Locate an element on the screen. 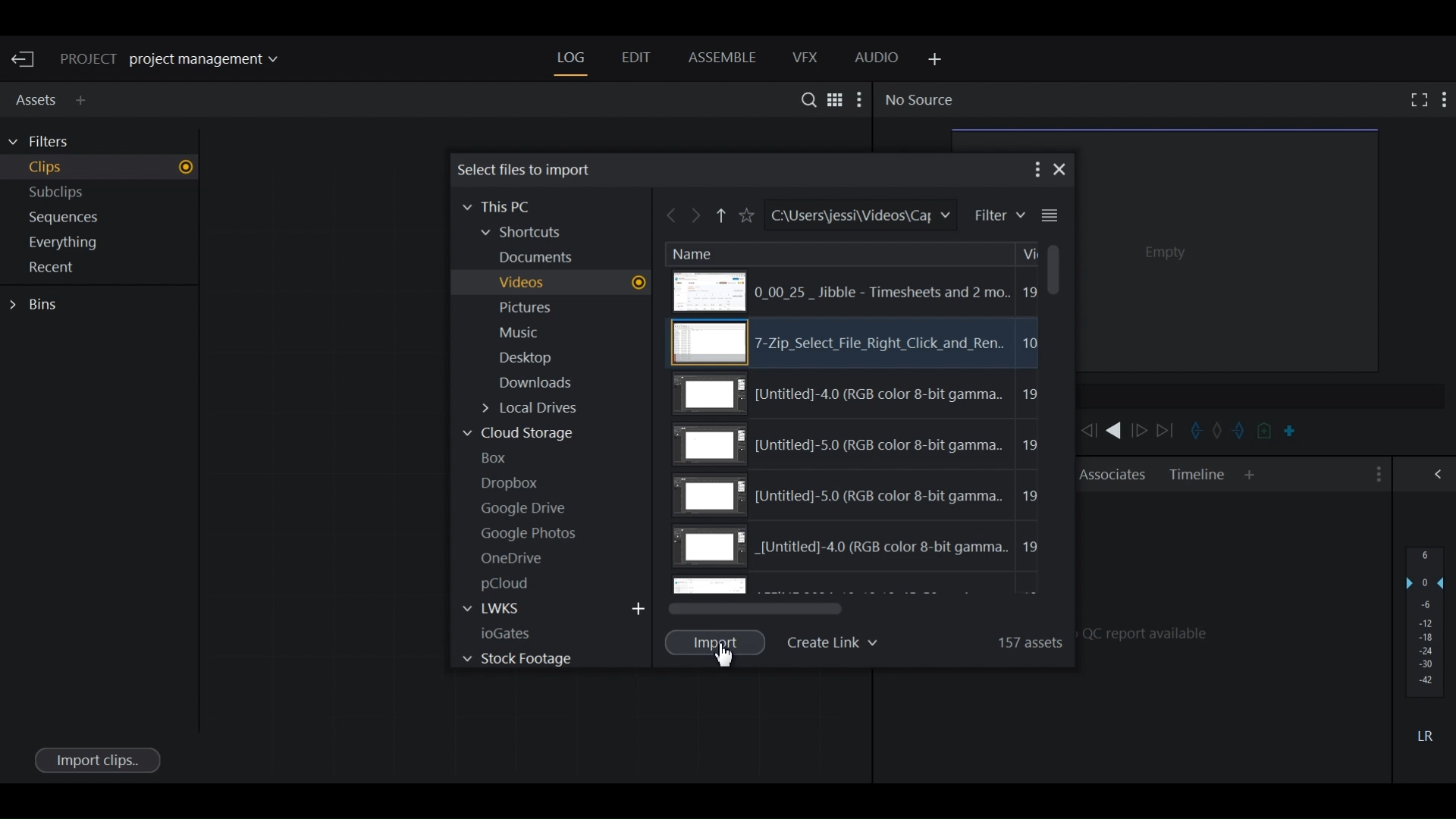  Filters is located at coordinates (47, 142).